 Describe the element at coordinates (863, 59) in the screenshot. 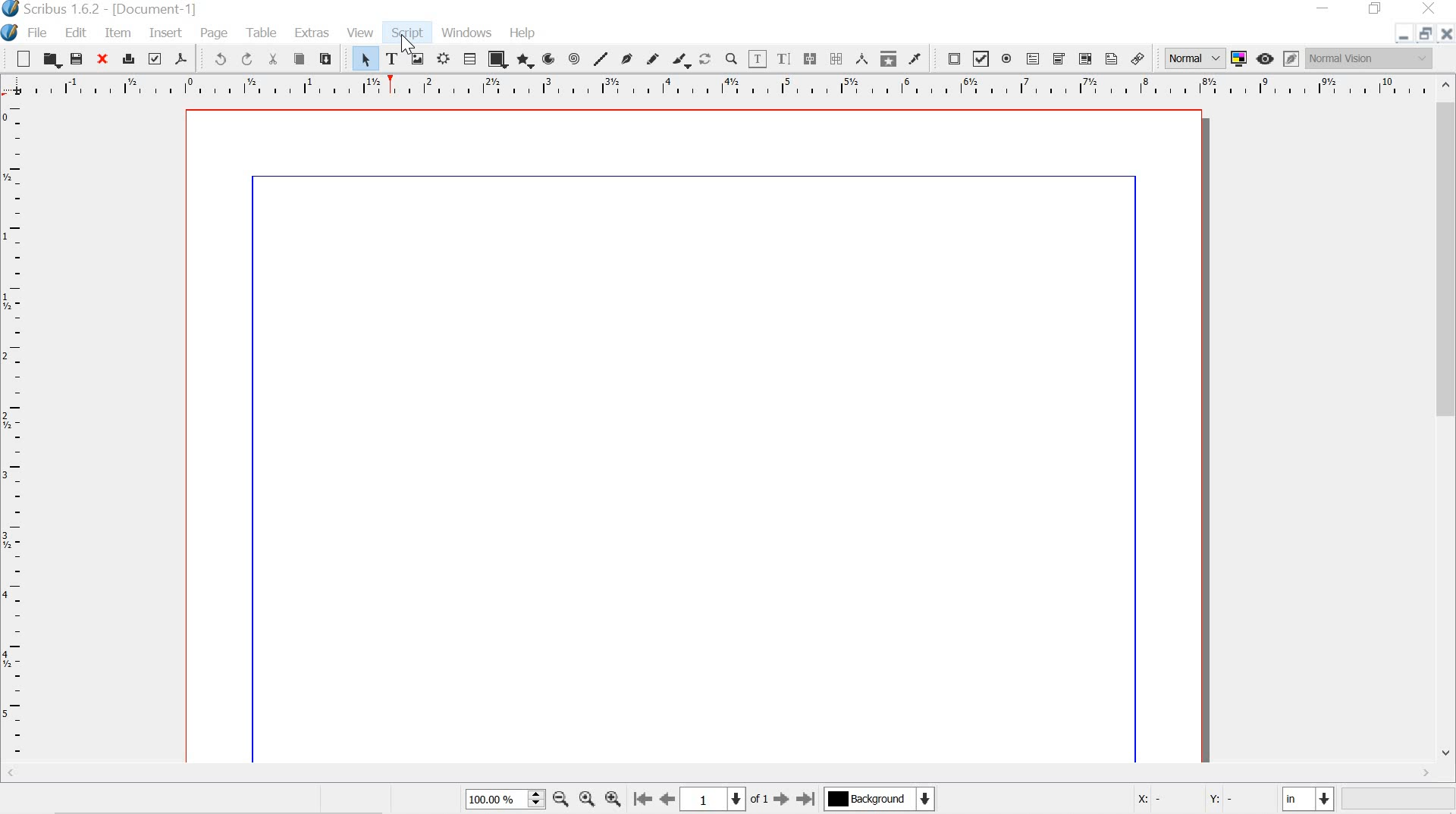

I see `measurements` at that location.